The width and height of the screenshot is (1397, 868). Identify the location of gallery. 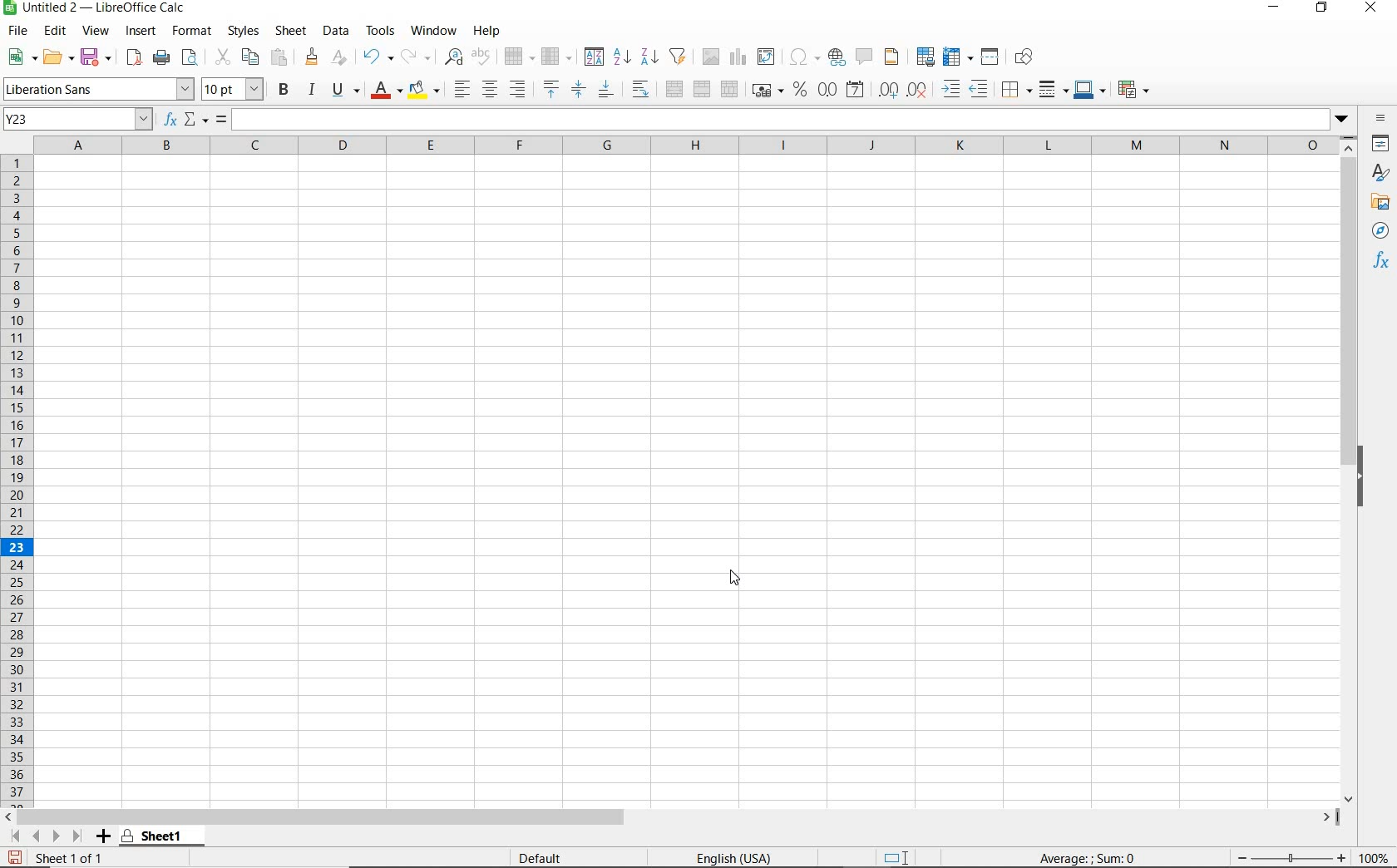
(1380, 200).